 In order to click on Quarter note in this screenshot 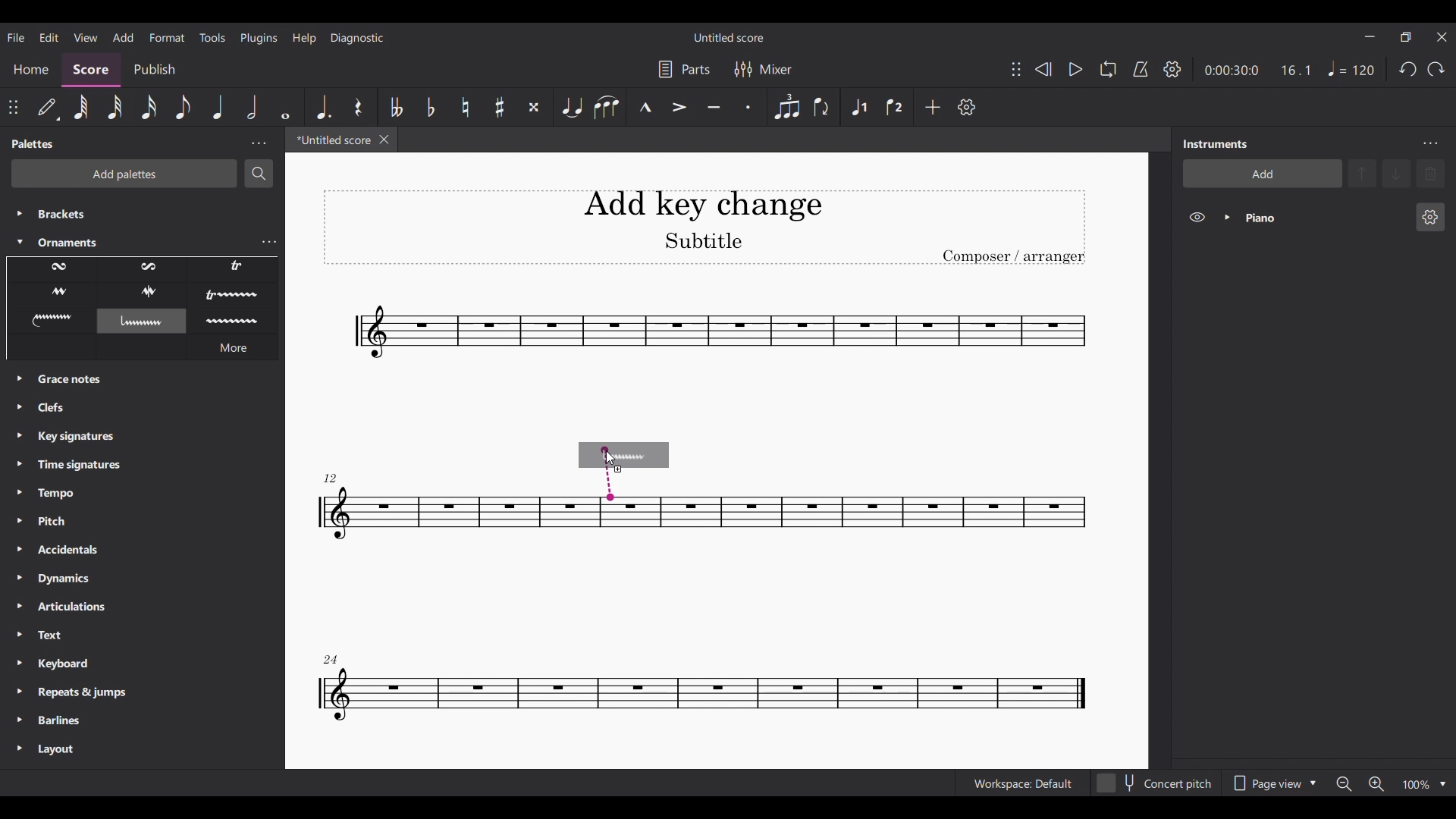, I will do `click(1351, 68)`.